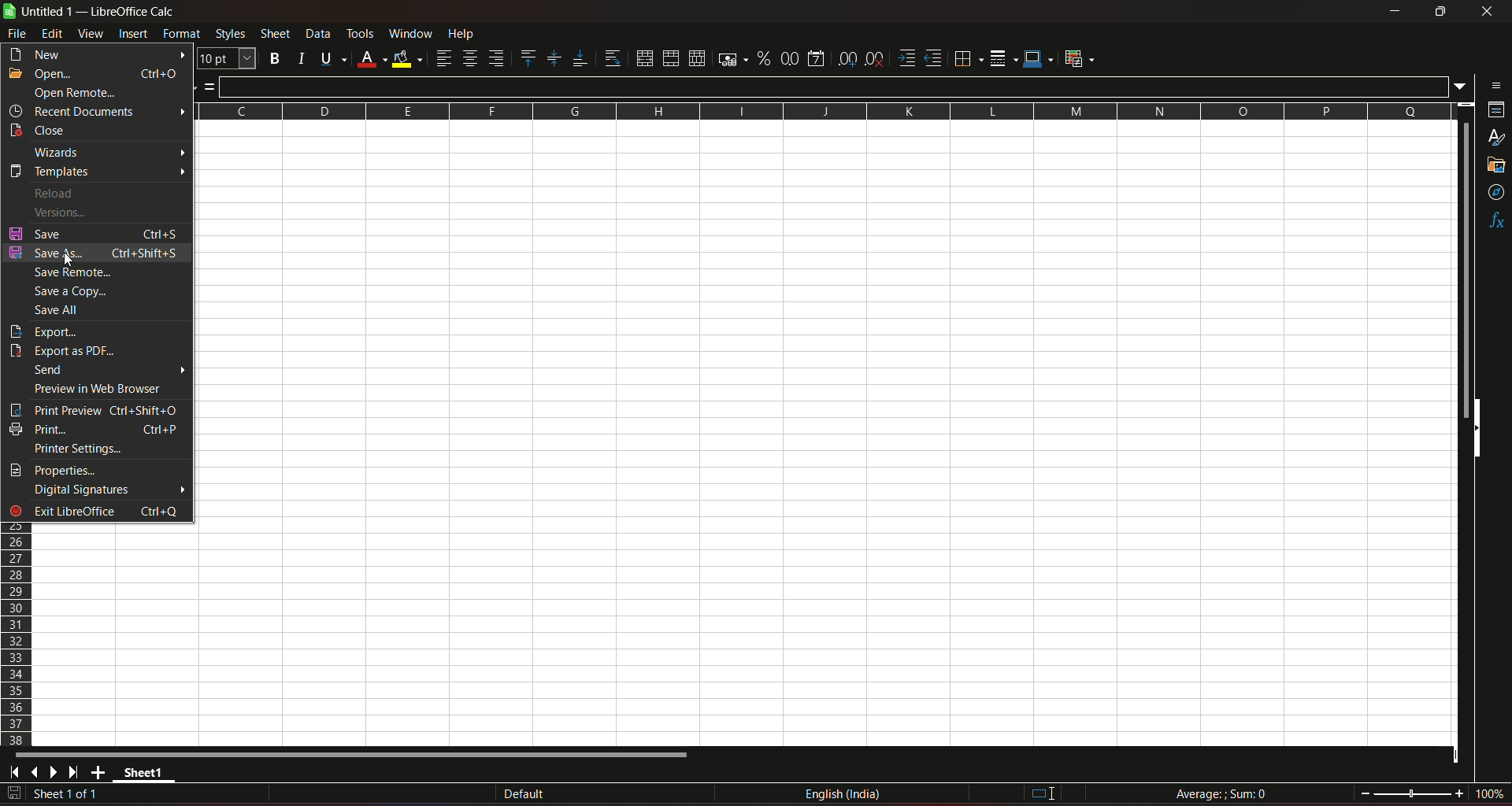 Image resolution: width=1512 pixels, height=806 pixels. What do you see at coordinates (361, 33) in the screenshot?
I see `tools` at bounding box center [361, 33].